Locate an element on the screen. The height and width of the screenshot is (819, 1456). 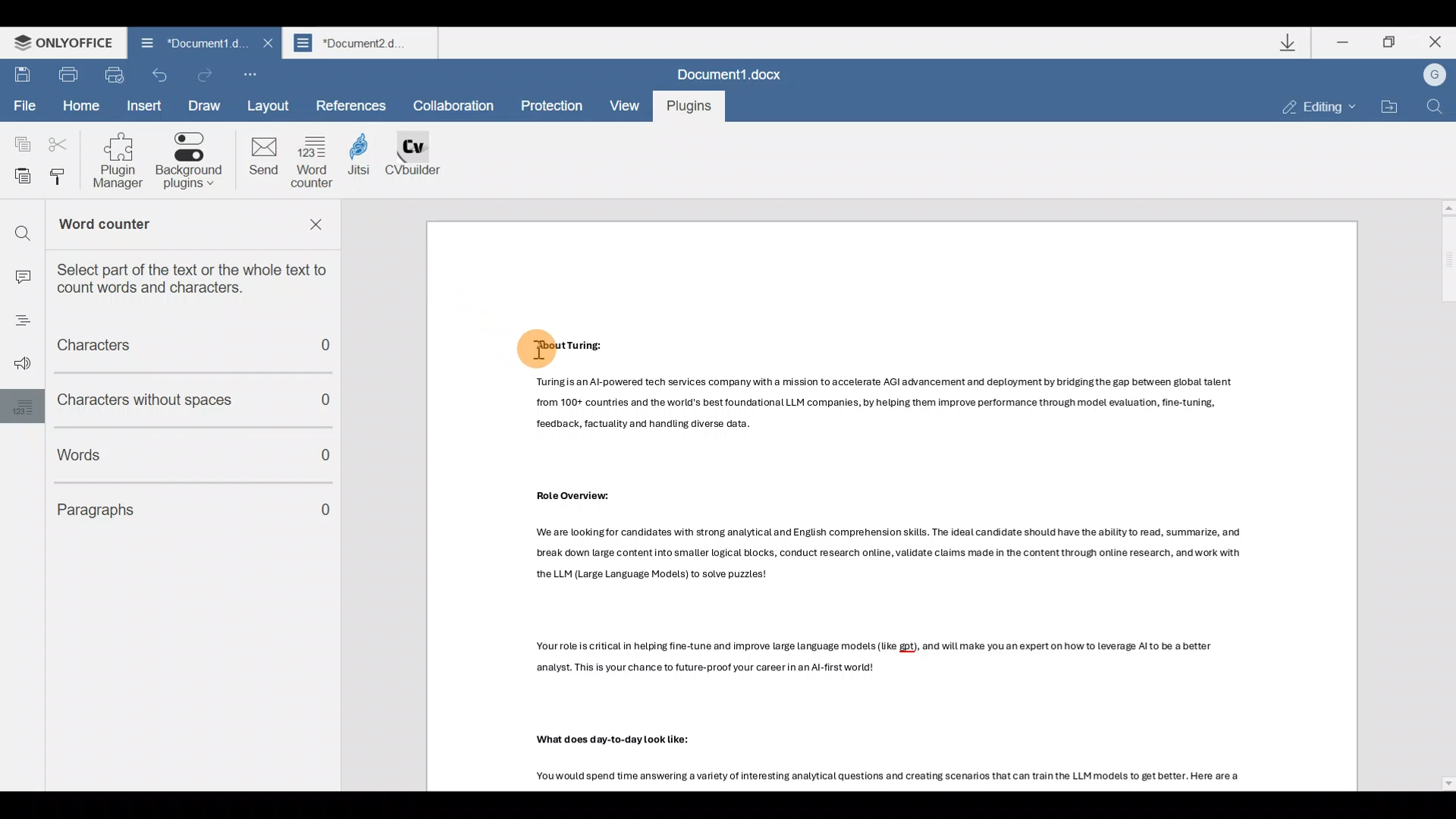
Insert is located at coordinates (146, 106).